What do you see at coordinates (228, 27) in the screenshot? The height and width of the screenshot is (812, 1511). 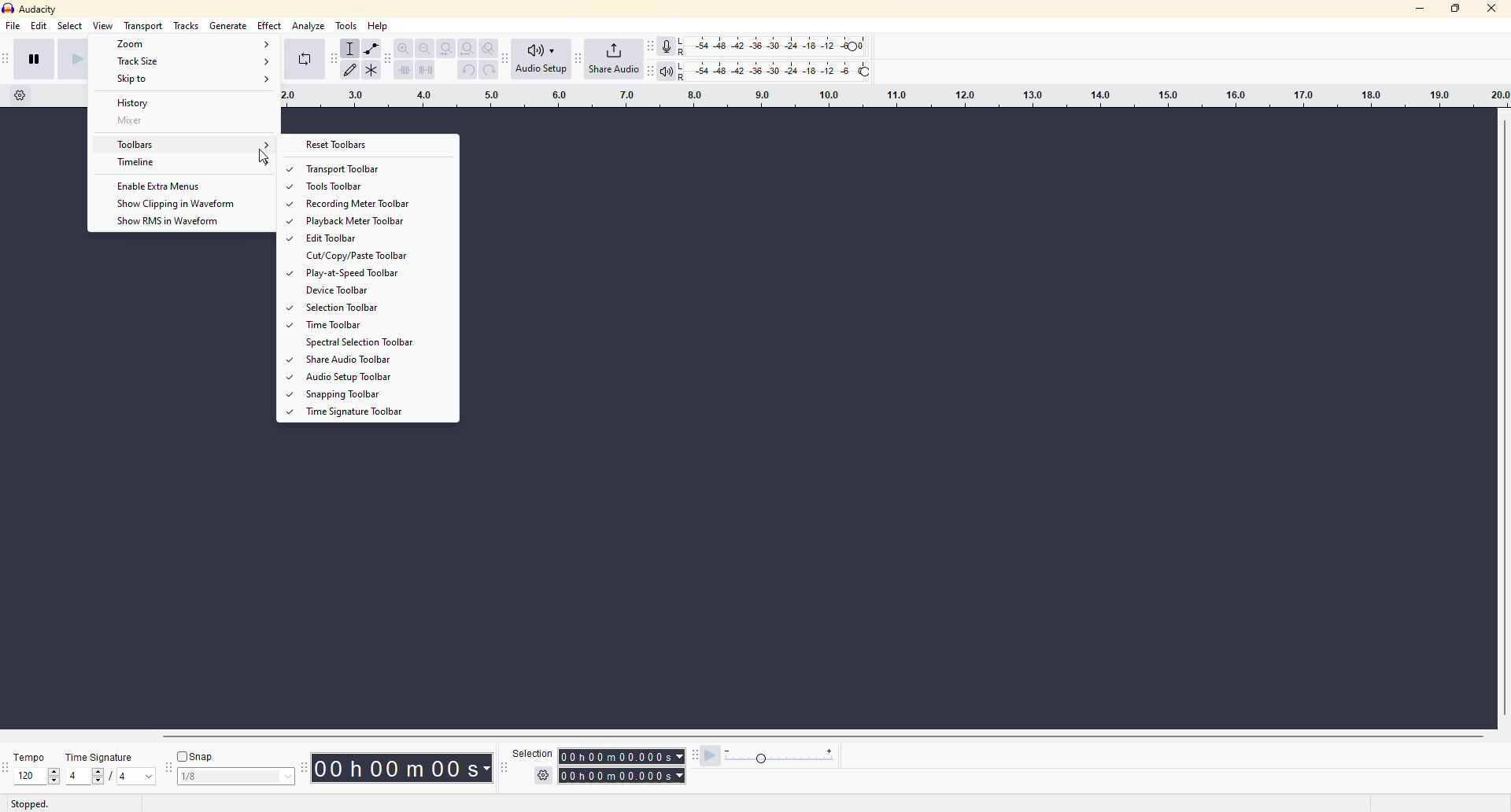 I see `generate` at bounding box center [228, 27].